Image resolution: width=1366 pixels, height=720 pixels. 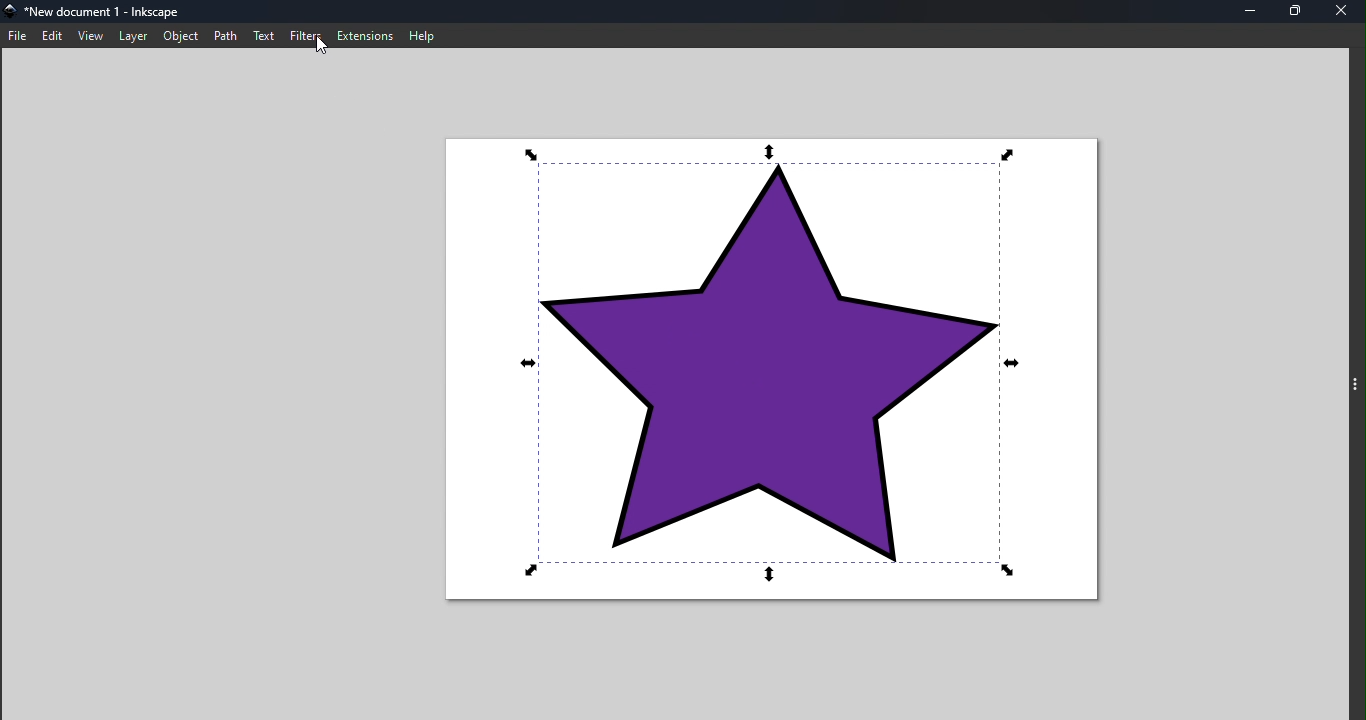 What do you see at coordinates (1355, 391) in the screenshot?
I see `Command panel` at bounding box center [1355, 391].